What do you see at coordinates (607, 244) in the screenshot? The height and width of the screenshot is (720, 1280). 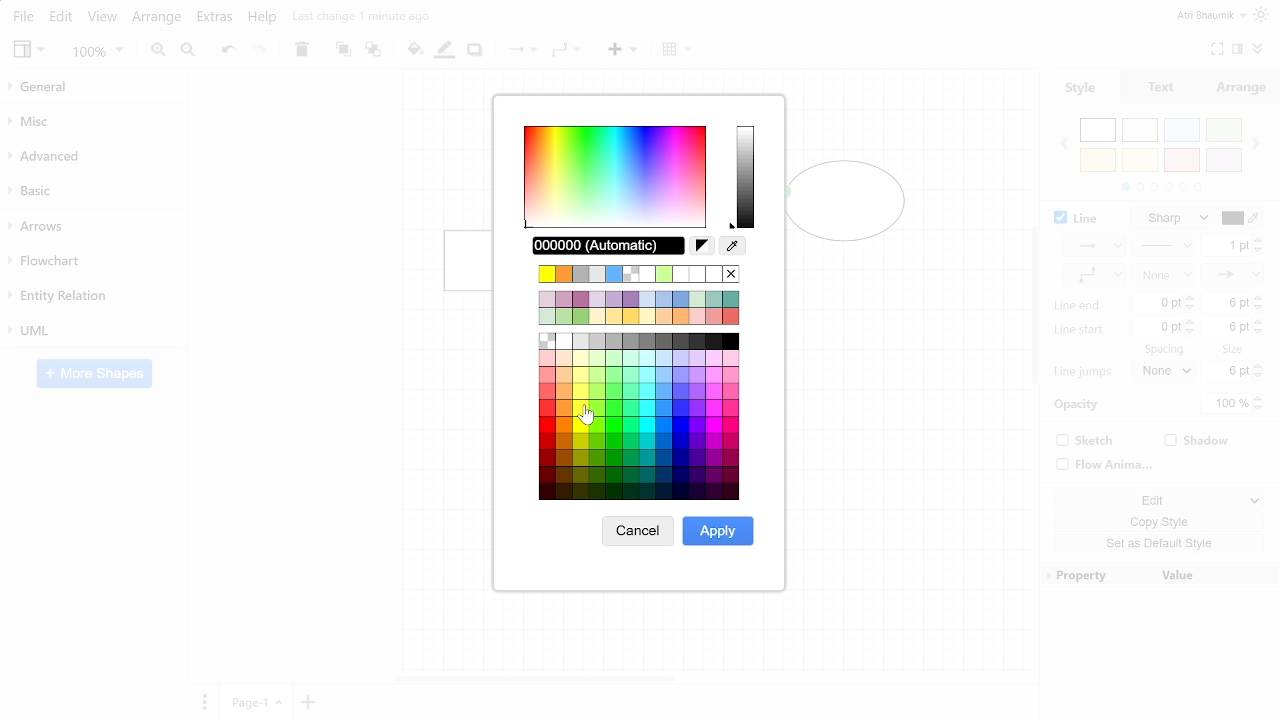 I see `Current color` at bounding box center [607, 244].